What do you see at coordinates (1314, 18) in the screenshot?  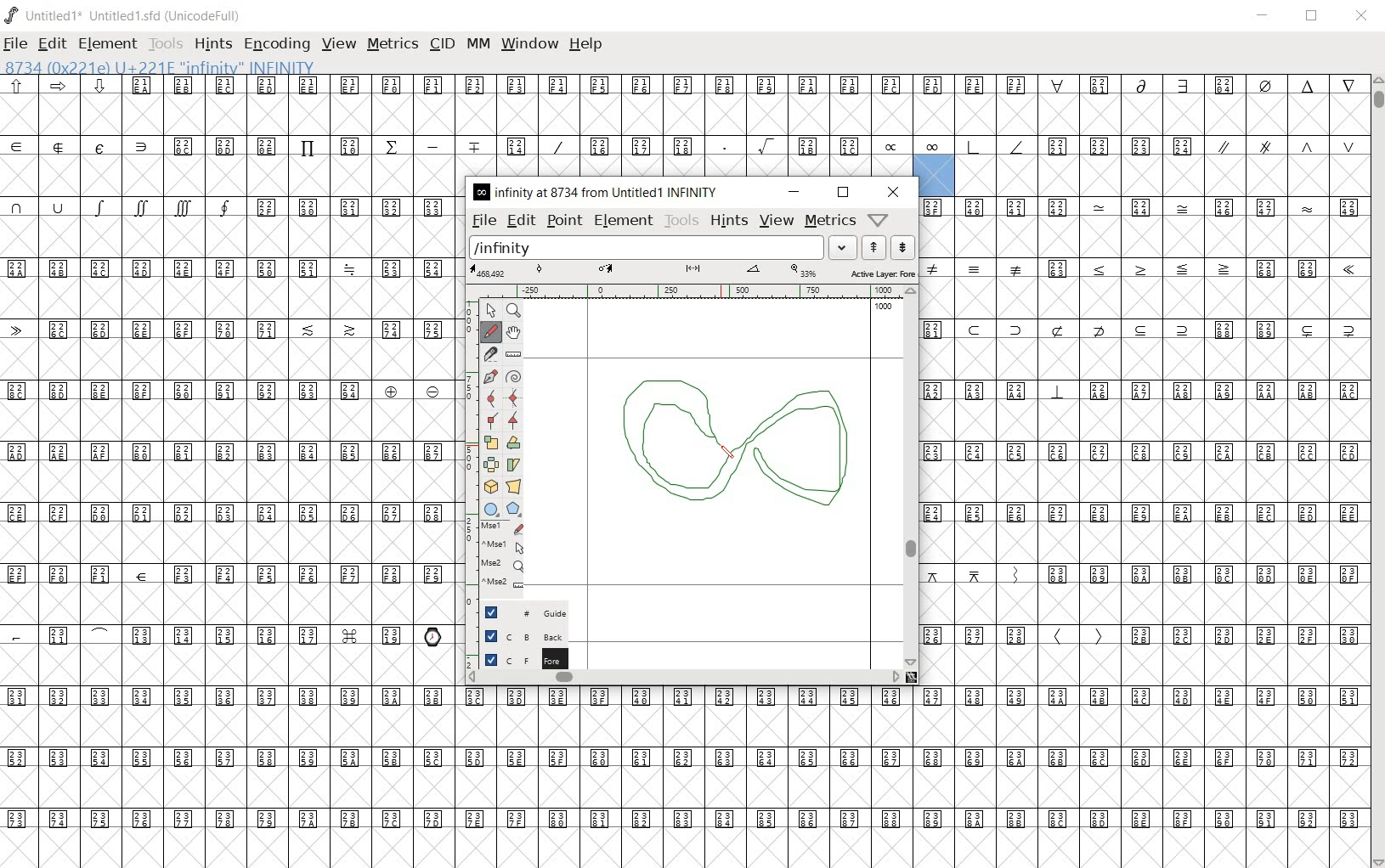 I see `restore down` at bounding box center [1314, 18].